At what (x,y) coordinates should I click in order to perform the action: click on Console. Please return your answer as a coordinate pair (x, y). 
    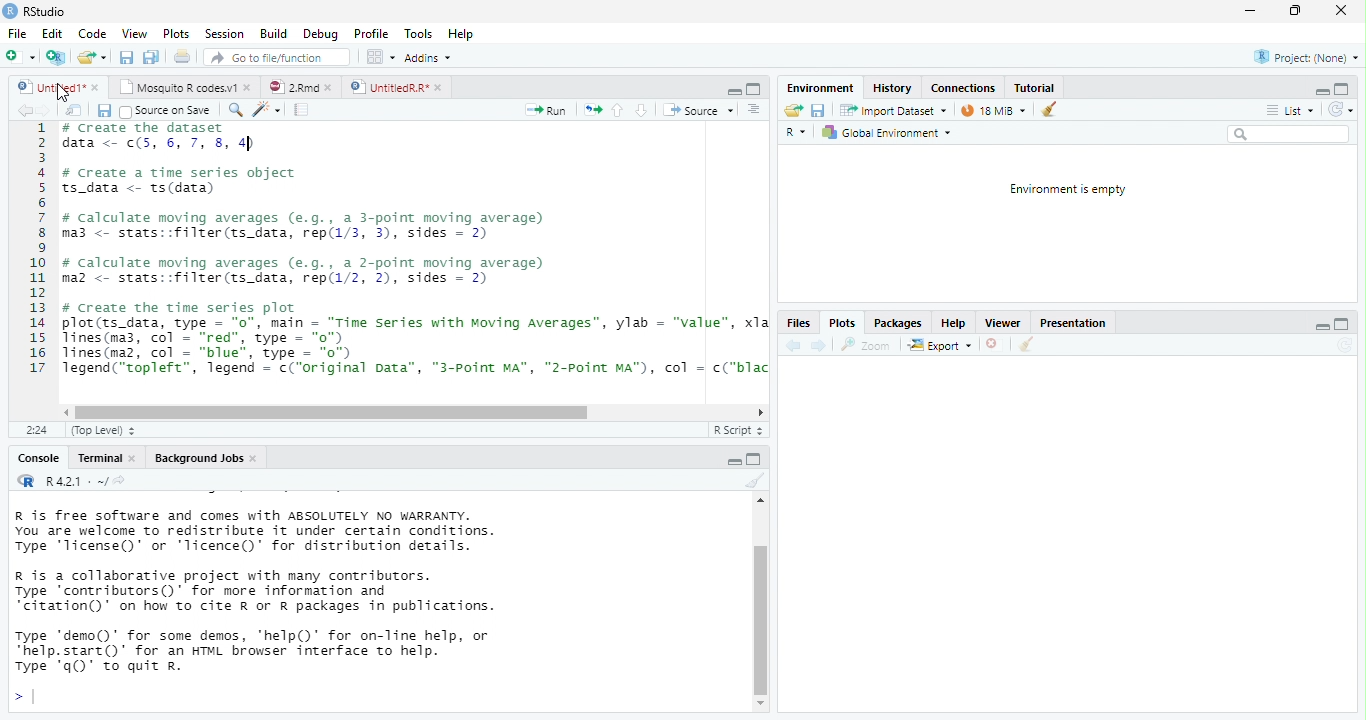
    Looking at the image, I should click on (37, 459).